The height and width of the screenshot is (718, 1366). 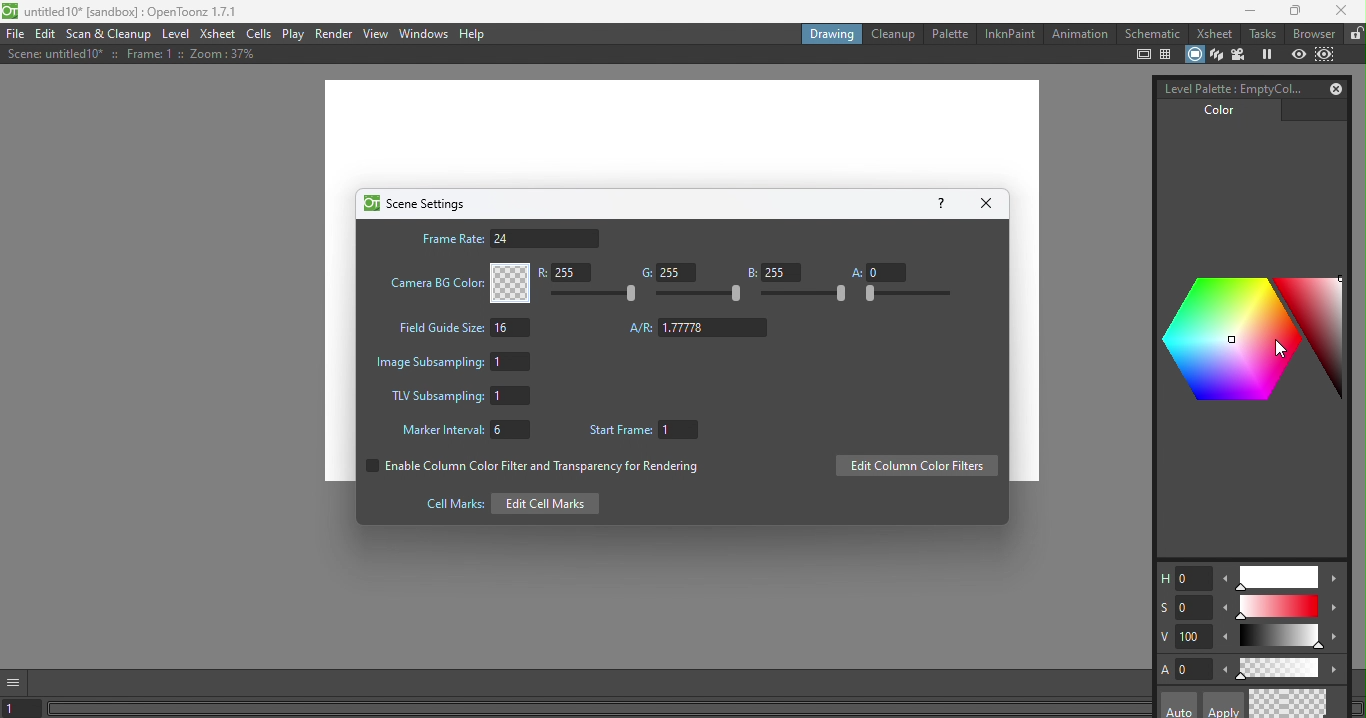 What do you see at coordinates (17, 681) in the screenshot?
I see `GUI show/hide` at bounding box center [17, 681].